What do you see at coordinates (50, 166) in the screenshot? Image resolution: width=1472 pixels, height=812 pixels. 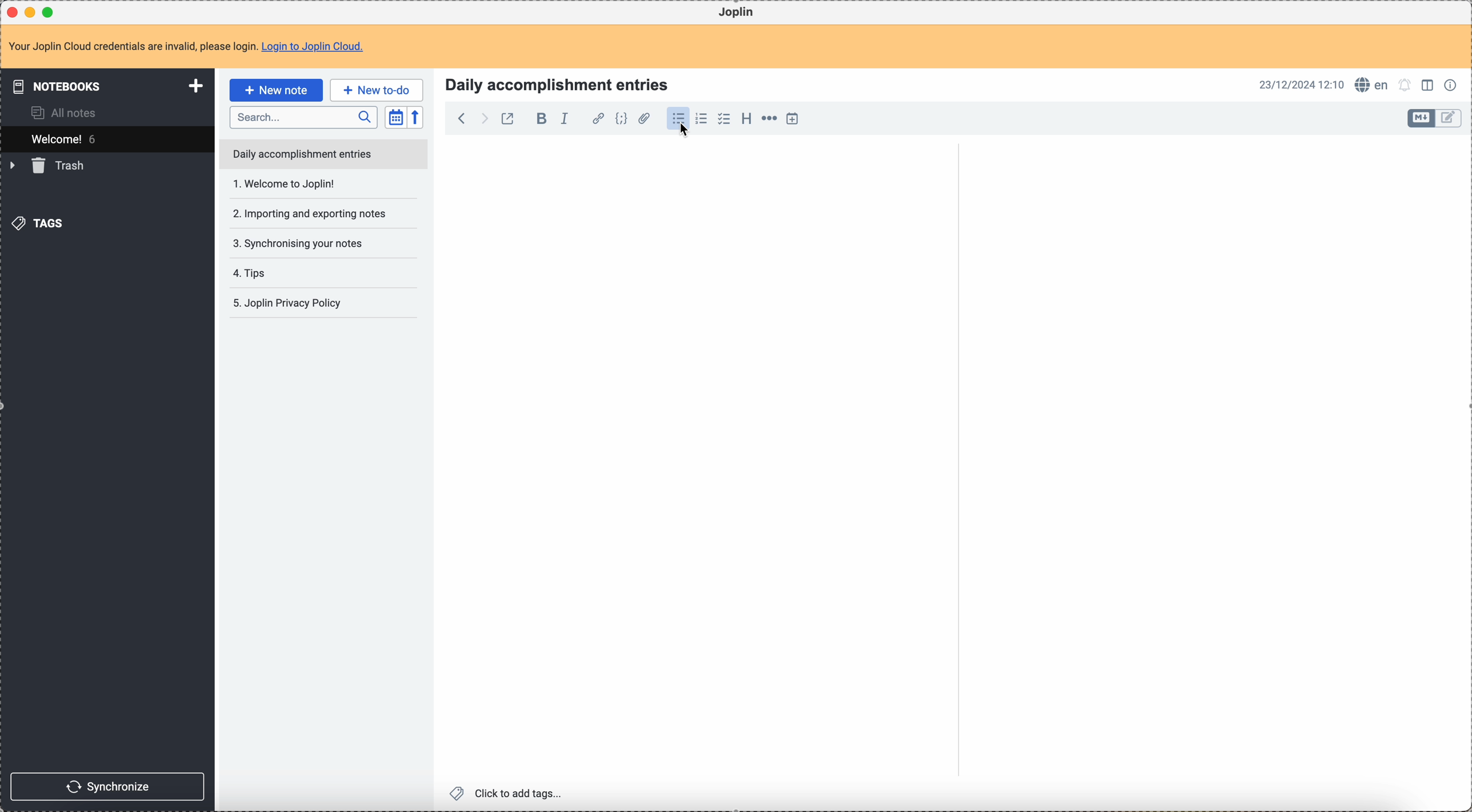 I see `trash` at bounding box center [50, 166].